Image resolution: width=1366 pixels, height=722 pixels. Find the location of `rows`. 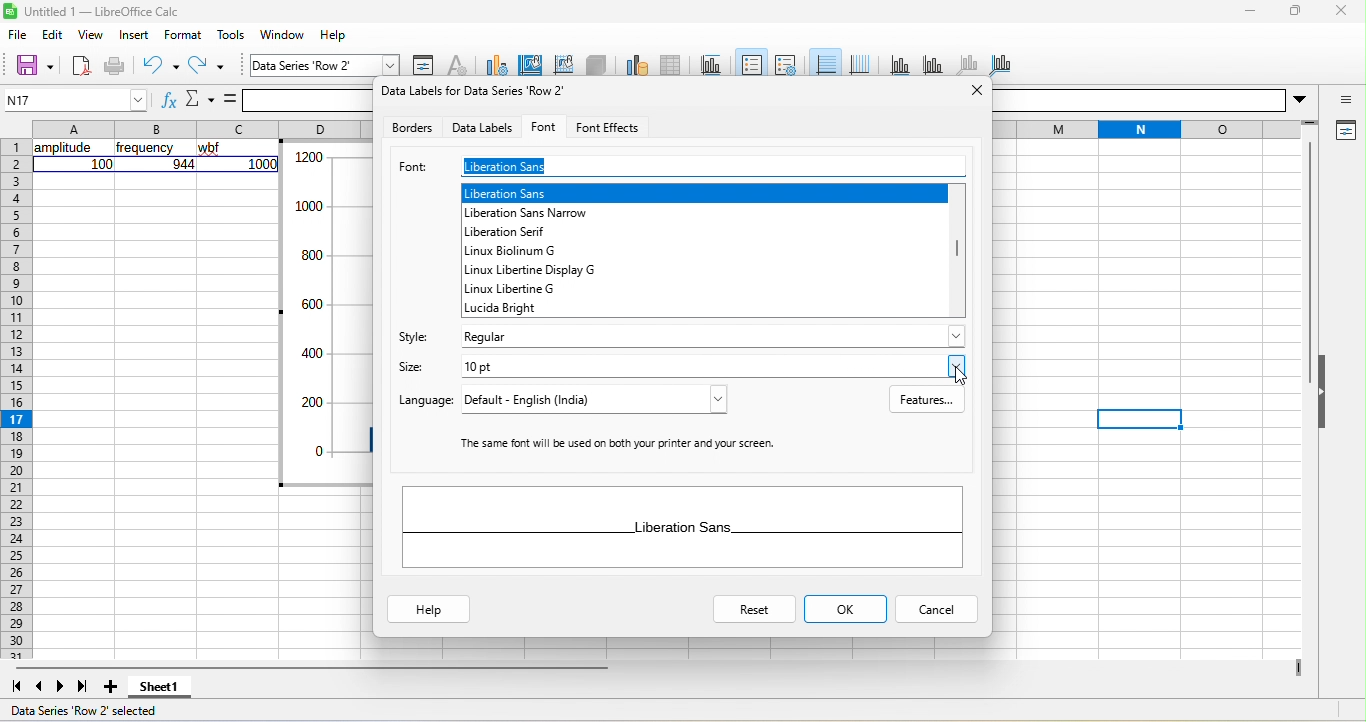

rows is located at coordinates (1142, 127).